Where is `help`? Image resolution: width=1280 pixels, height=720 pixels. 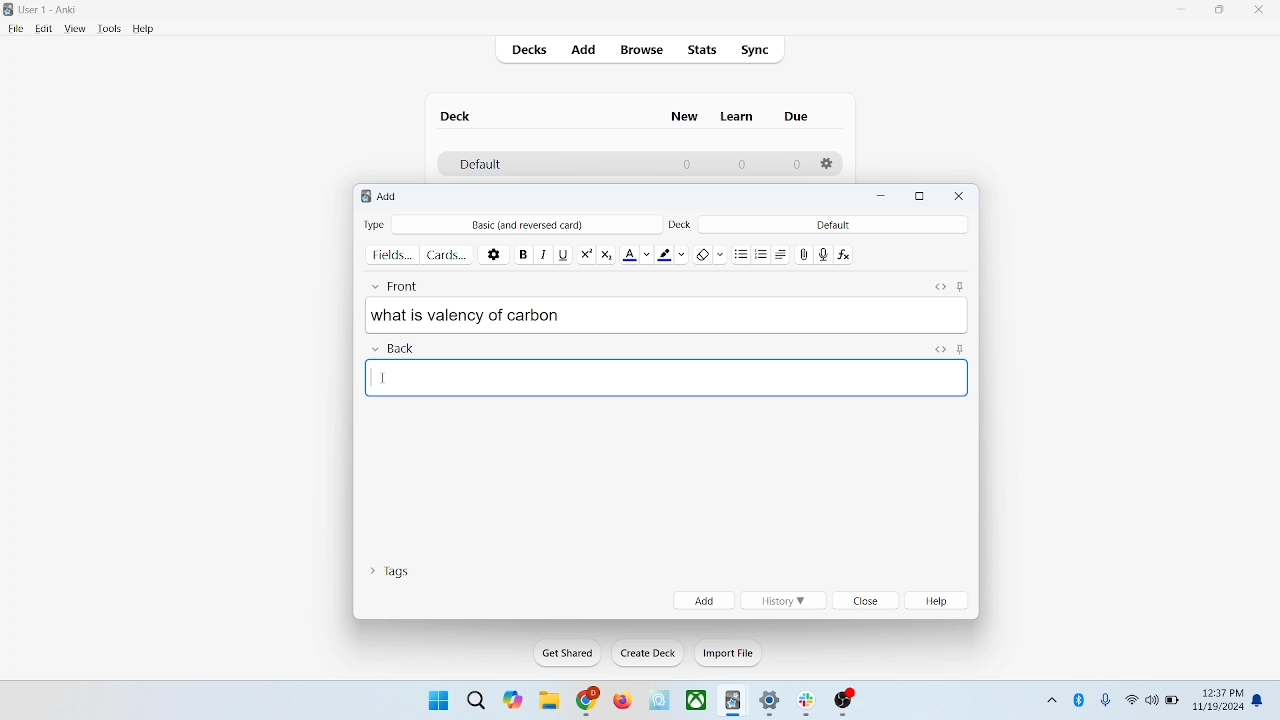
help is located at coordinates (144, 30).